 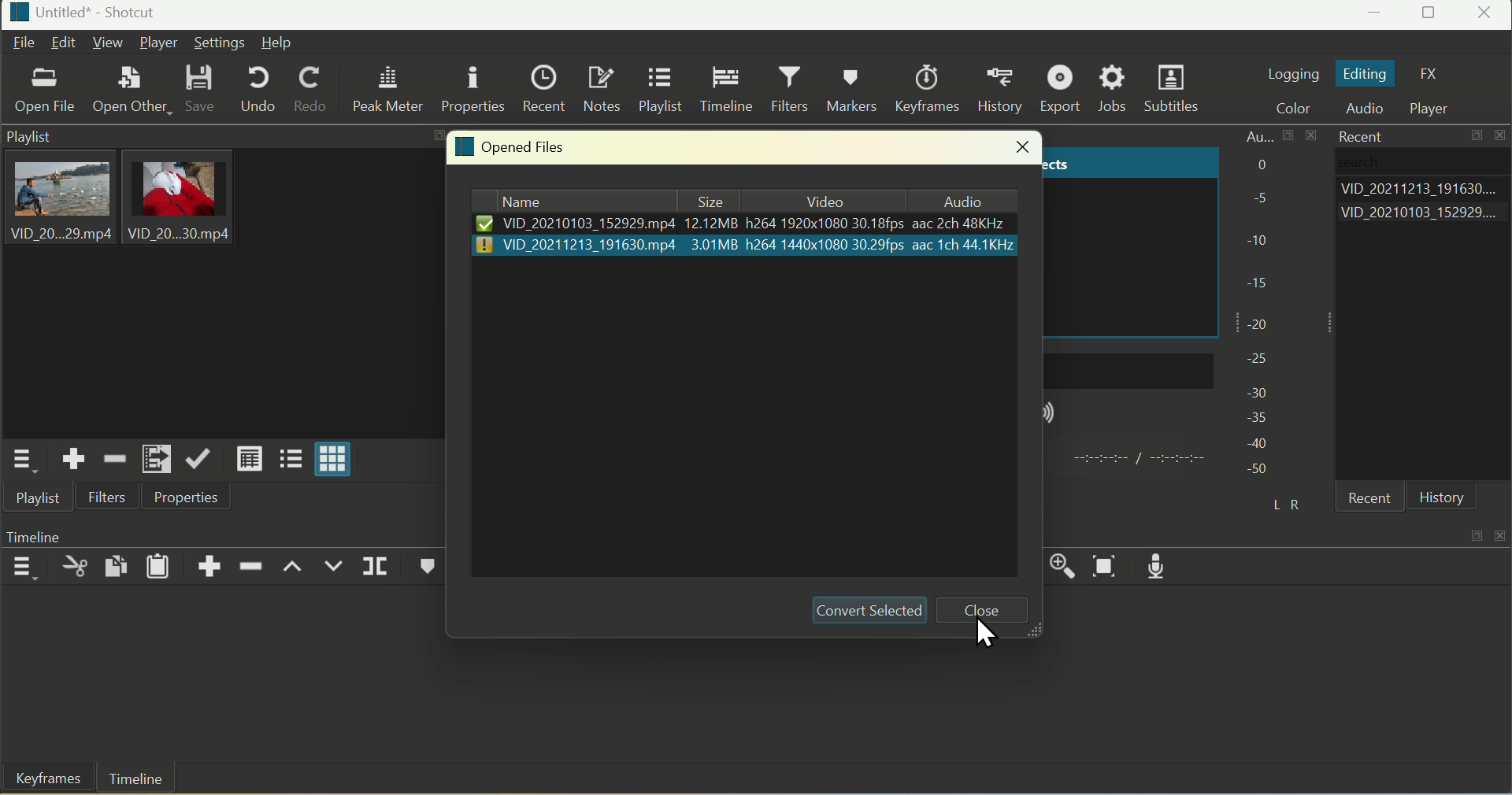 What do you see at coordinates (213, 283) in the screenshot?
I see `Playlist tab` at bounding box center [213, 283].